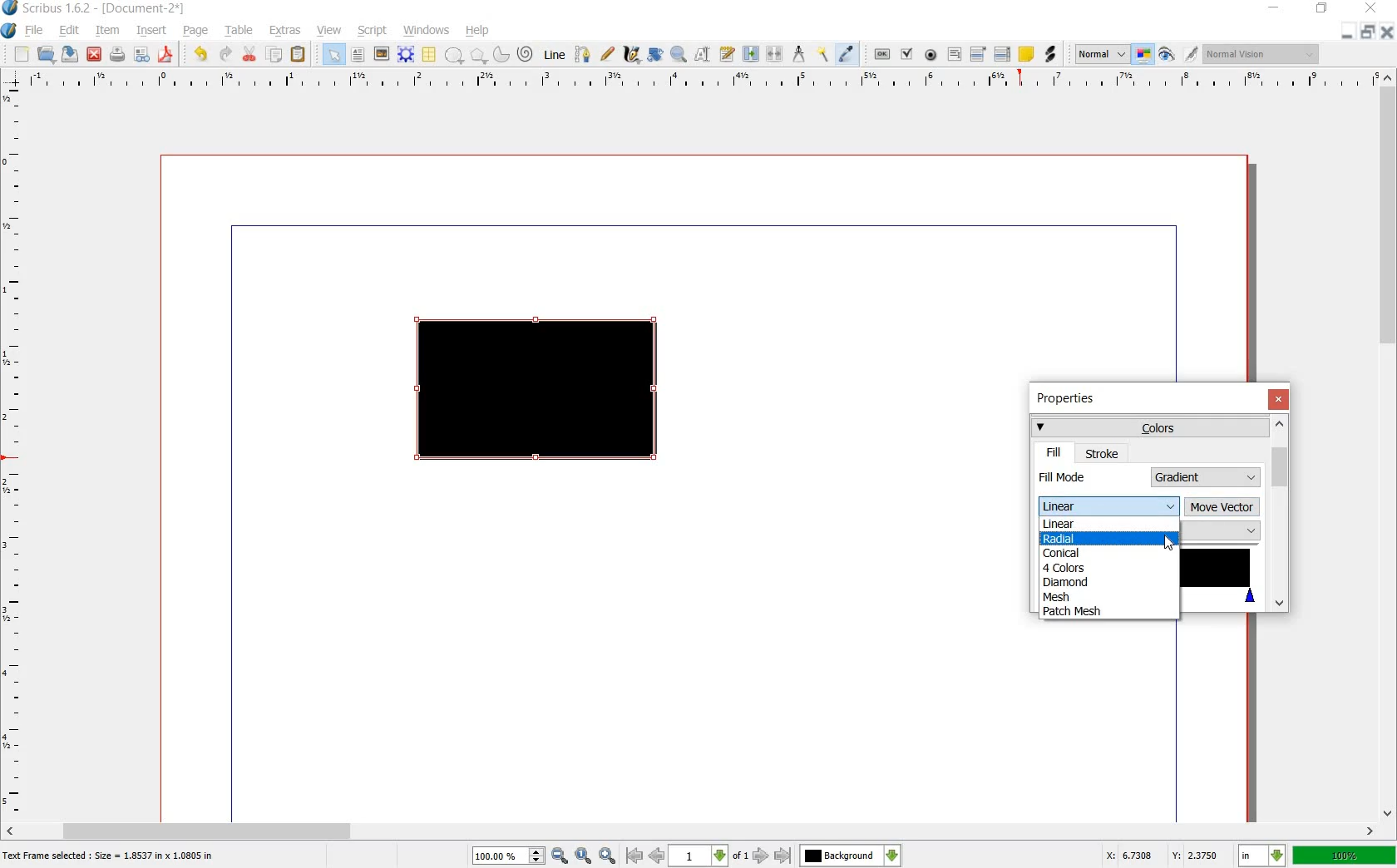 This screenshot has height=868, width=1397. Describe the element at coordinates (1107, 506) in the screenshot. I see `linear` at that location.